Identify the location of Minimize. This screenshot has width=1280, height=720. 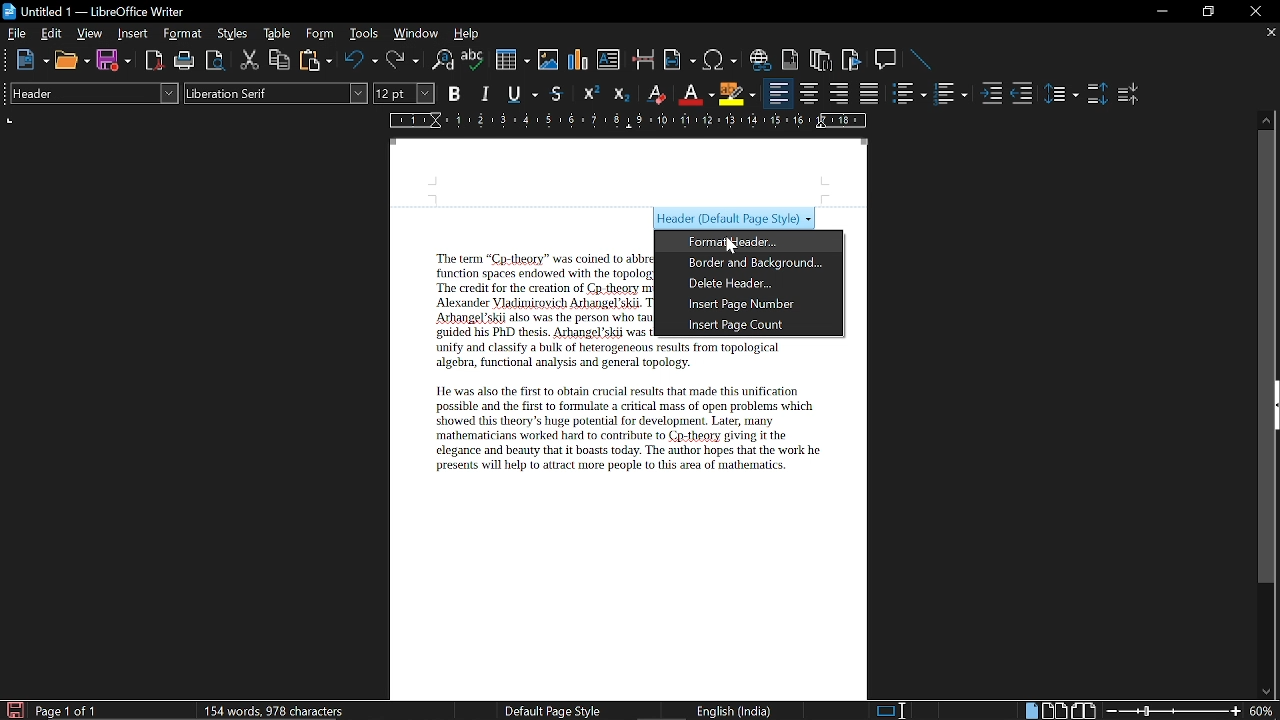
(1162, 14).